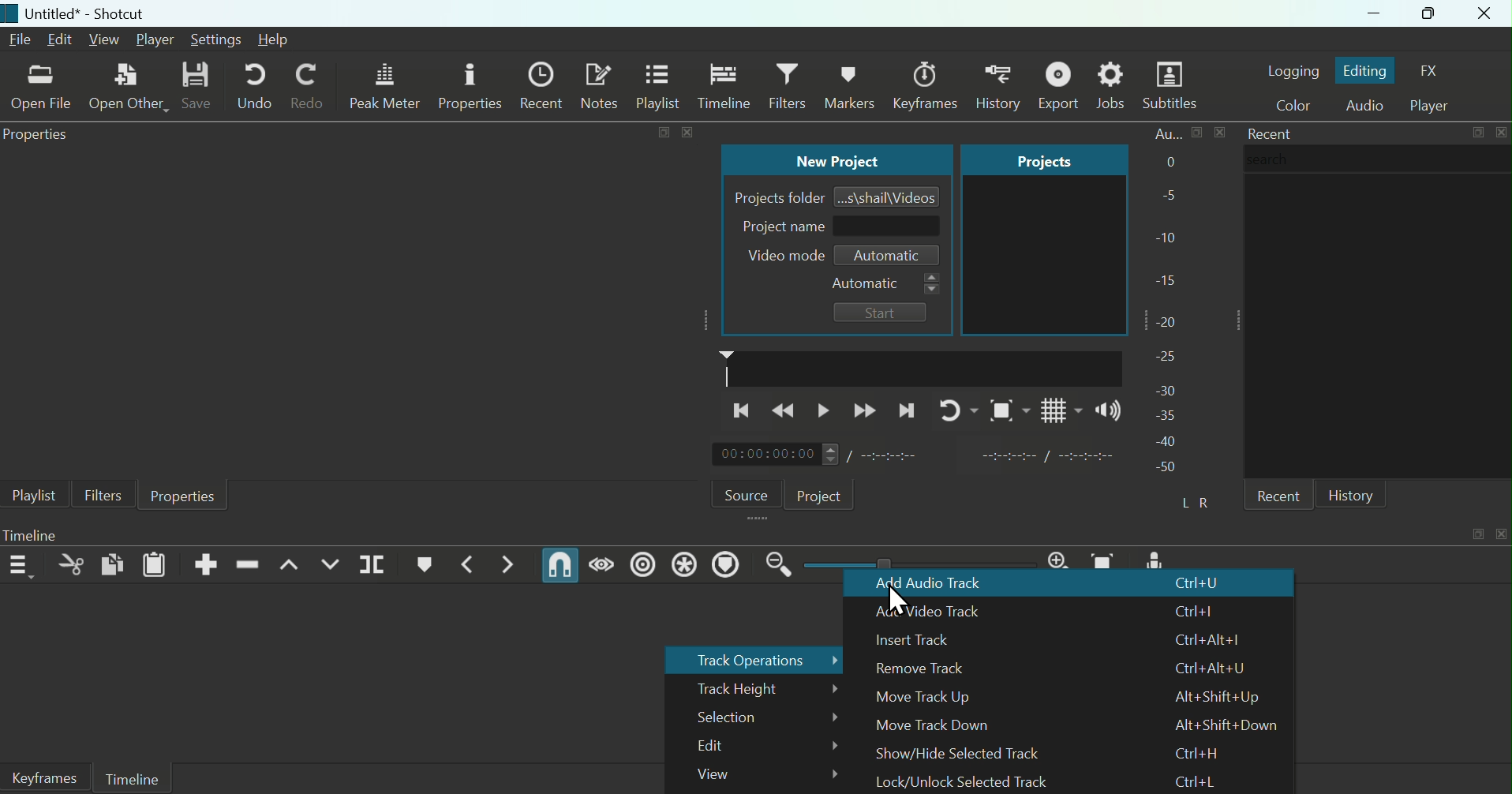  Describe the element at coordinates (1173, 86) in the screenshot. I see `Subtitles` at that location.